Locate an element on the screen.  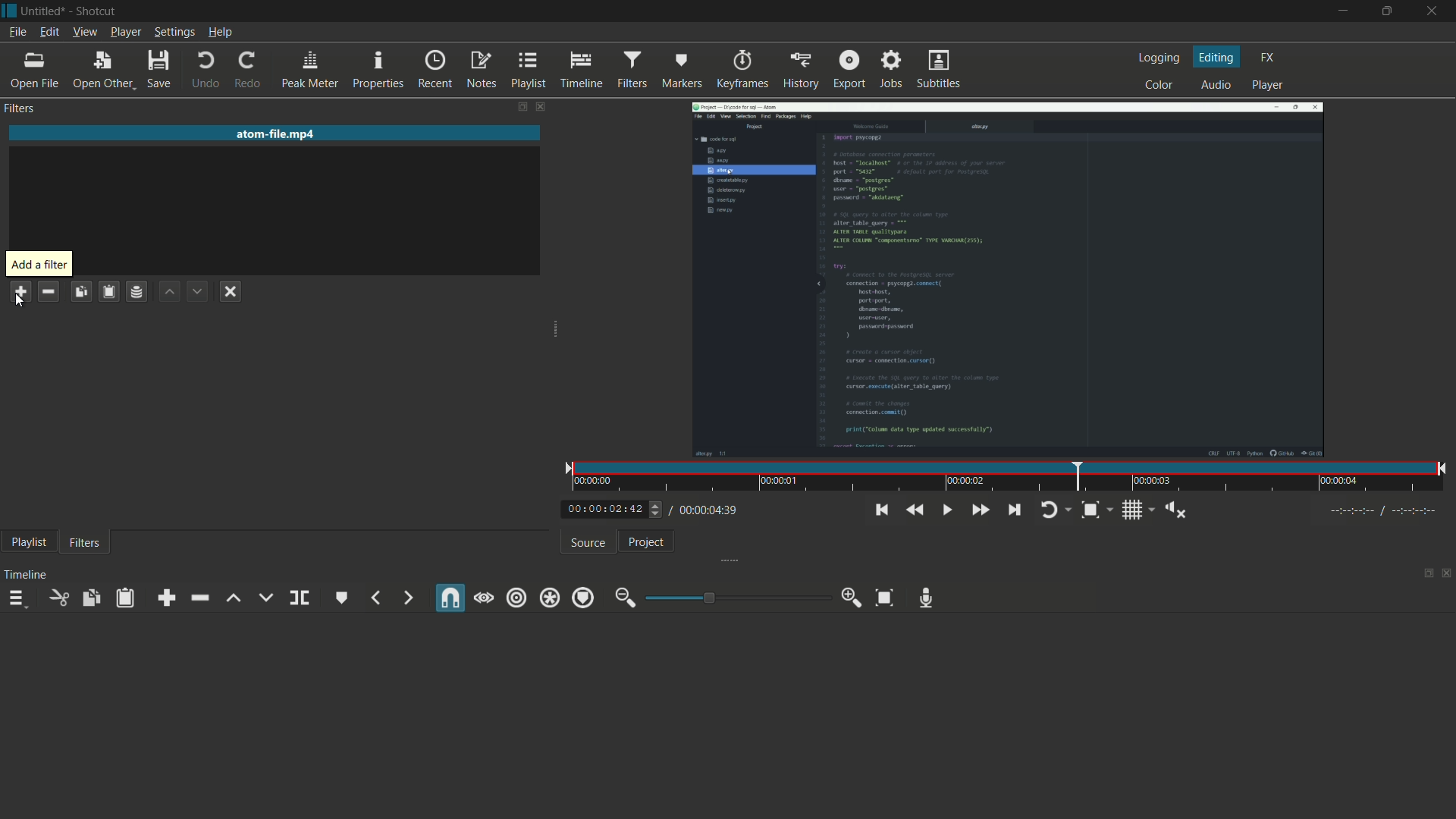
total time is located at coordinates (704, 510).